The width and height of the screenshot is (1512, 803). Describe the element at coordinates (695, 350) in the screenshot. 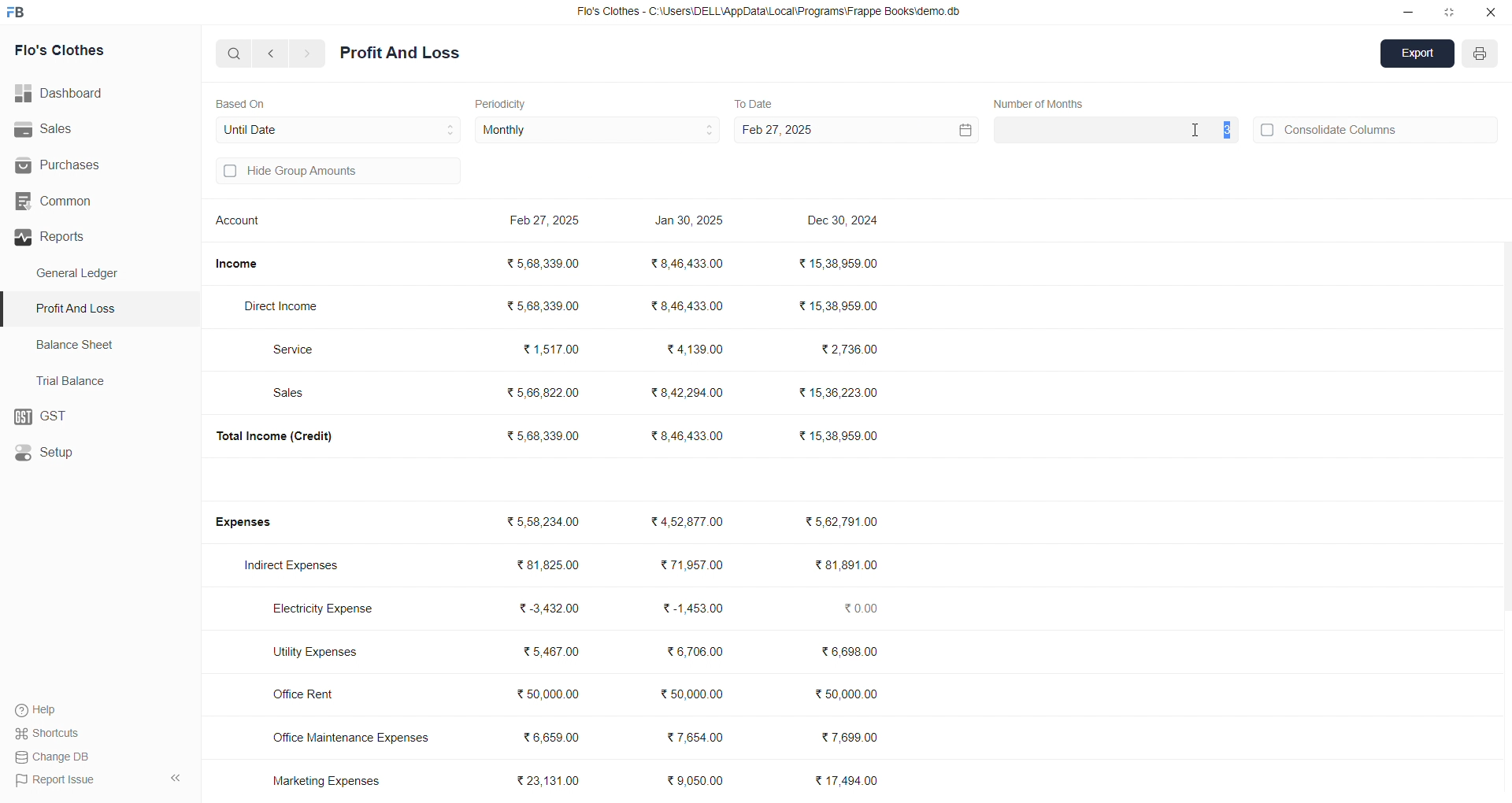

I see `₹4,139.00` at that location.